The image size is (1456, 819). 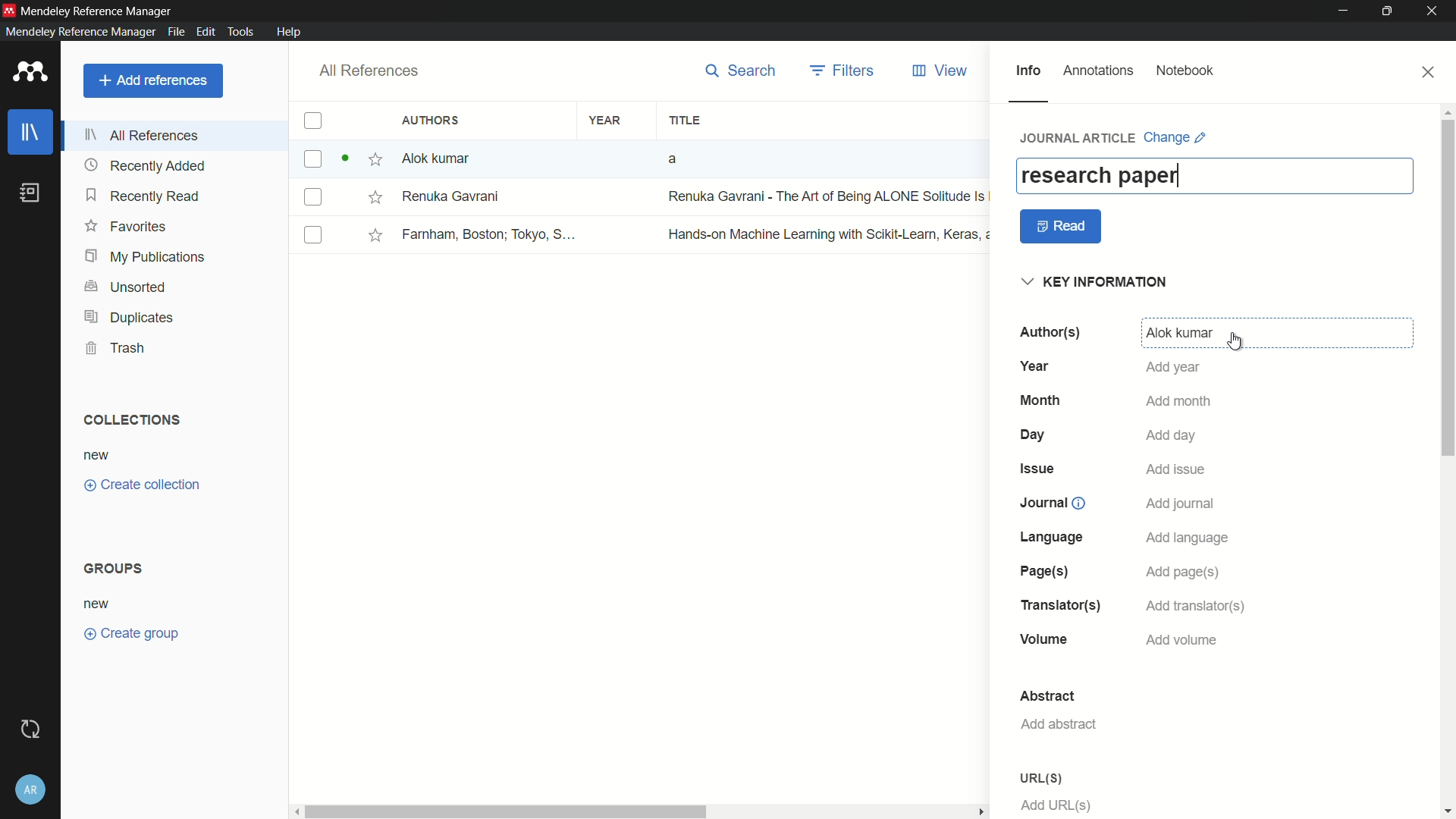 I want to click on year, so click(x=606, y=121).